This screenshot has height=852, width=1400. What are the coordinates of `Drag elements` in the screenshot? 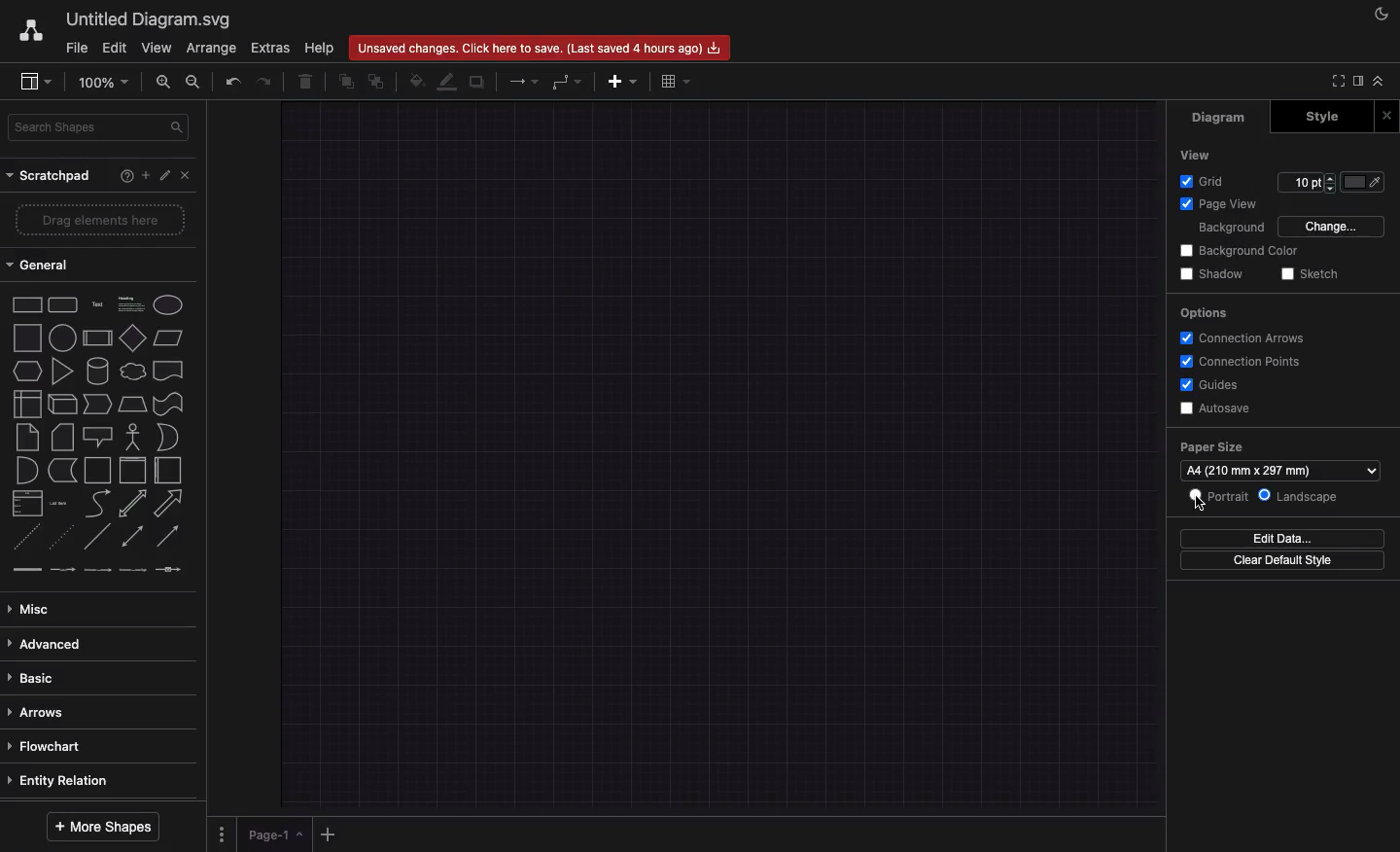 It's located at (100, 224).